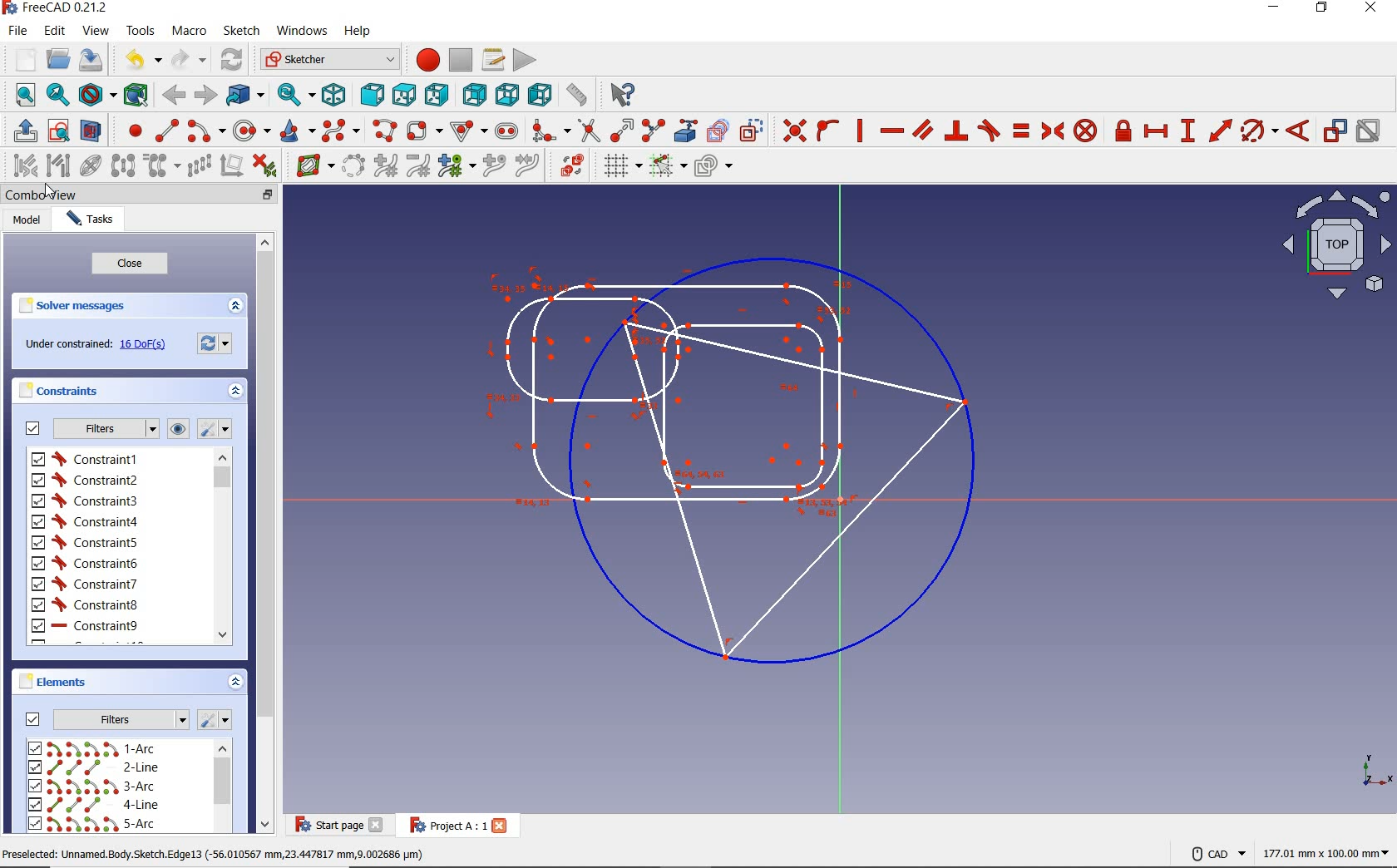 The image size is (1397, 868). Describe the element at coordinates (220, 430) in the screenshot. I see `settings` at that location.